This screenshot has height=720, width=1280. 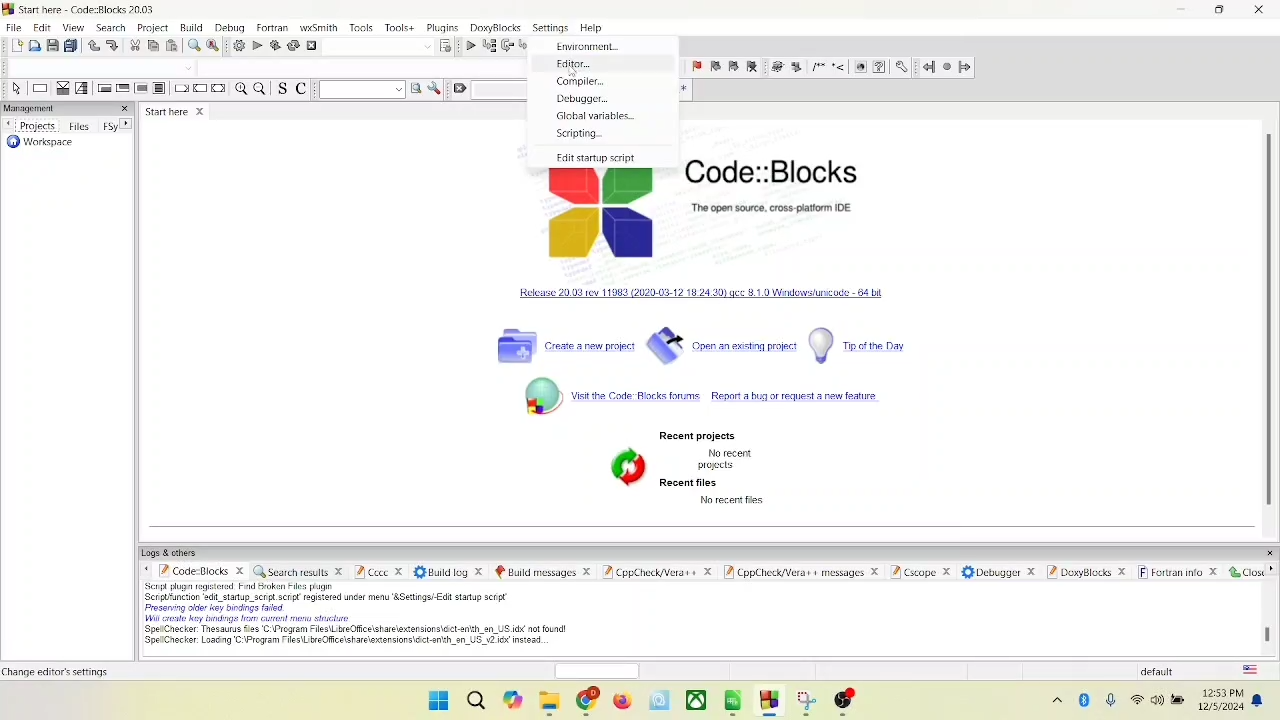 What do you see at coordinates (524, 46) in the screenshot?
I see `step into` at bounding box center [524, 46].